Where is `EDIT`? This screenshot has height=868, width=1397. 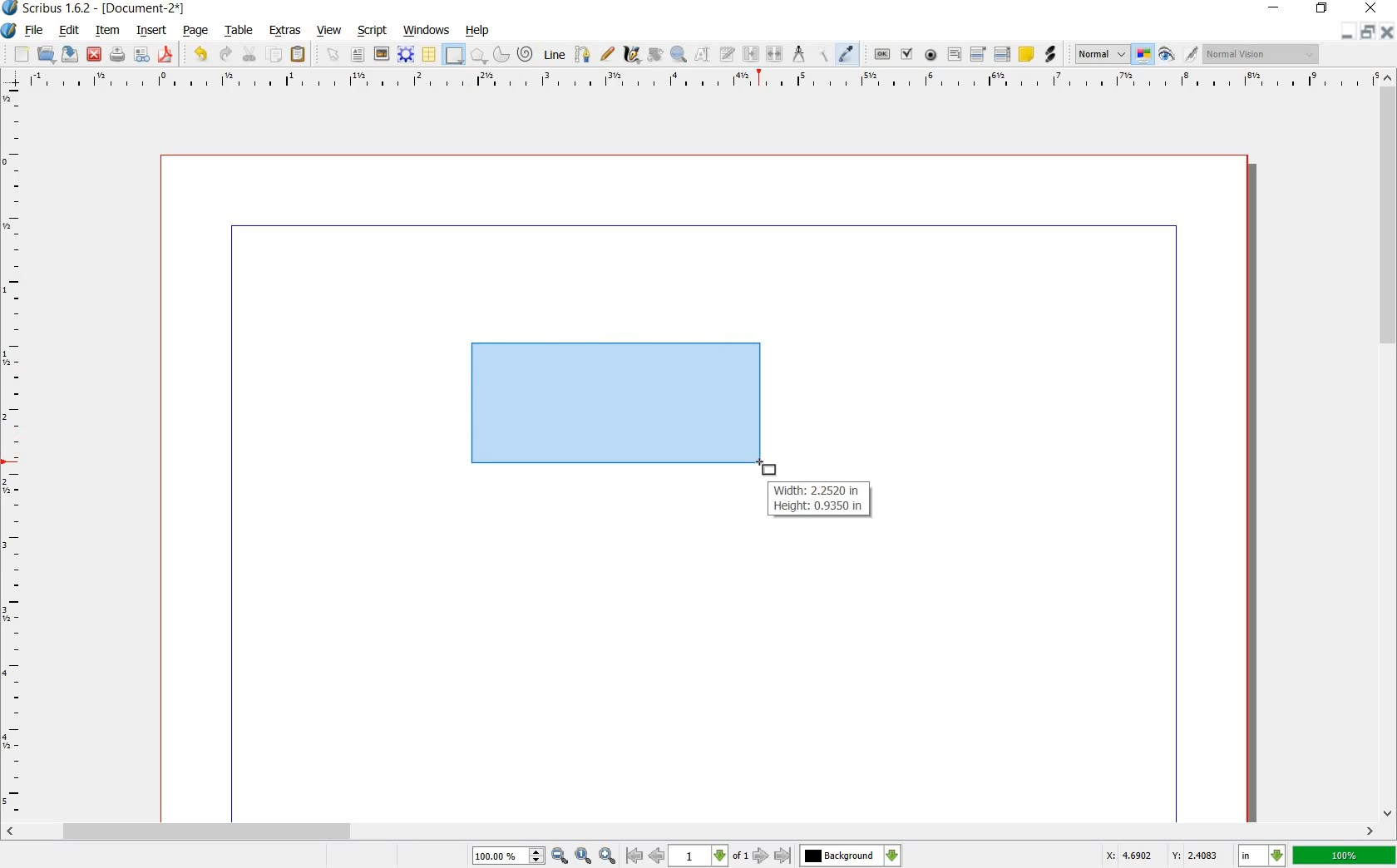
EDIT is located at coordinates (68, 31).